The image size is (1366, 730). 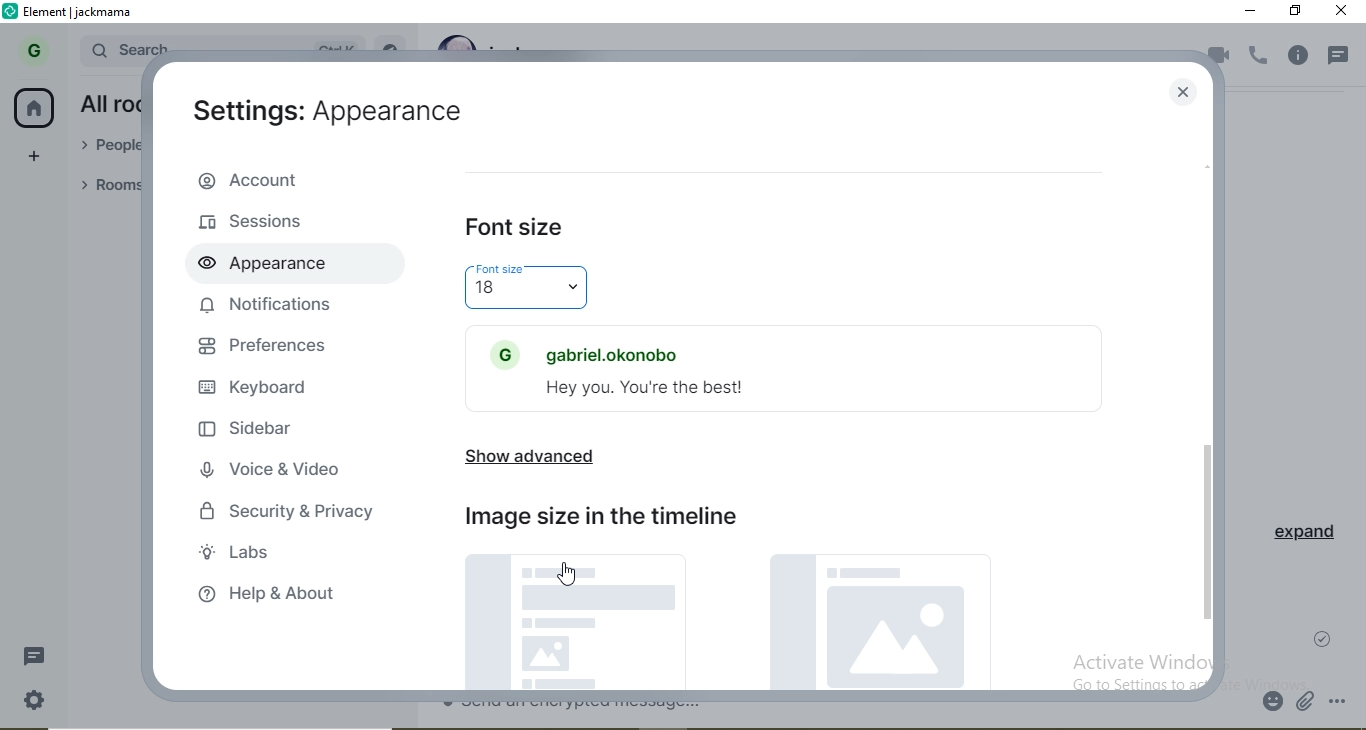 What do you see at coordinates (250, 219) in the screenshot?
I see `sessions` at bounding box center [250, 219].